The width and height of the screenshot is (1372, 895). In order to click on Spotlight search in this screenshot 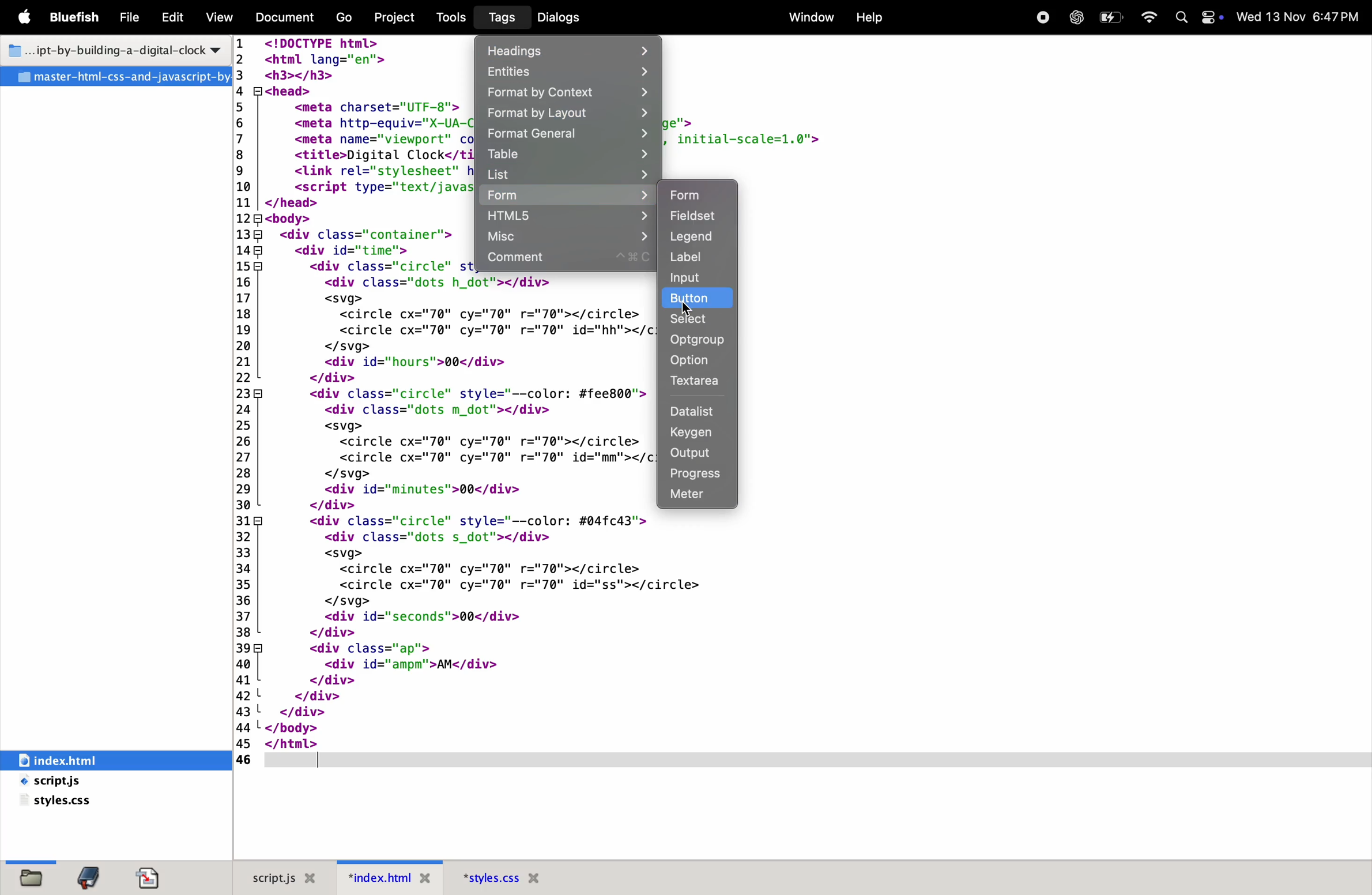, I will do `click(1182, 17)`.